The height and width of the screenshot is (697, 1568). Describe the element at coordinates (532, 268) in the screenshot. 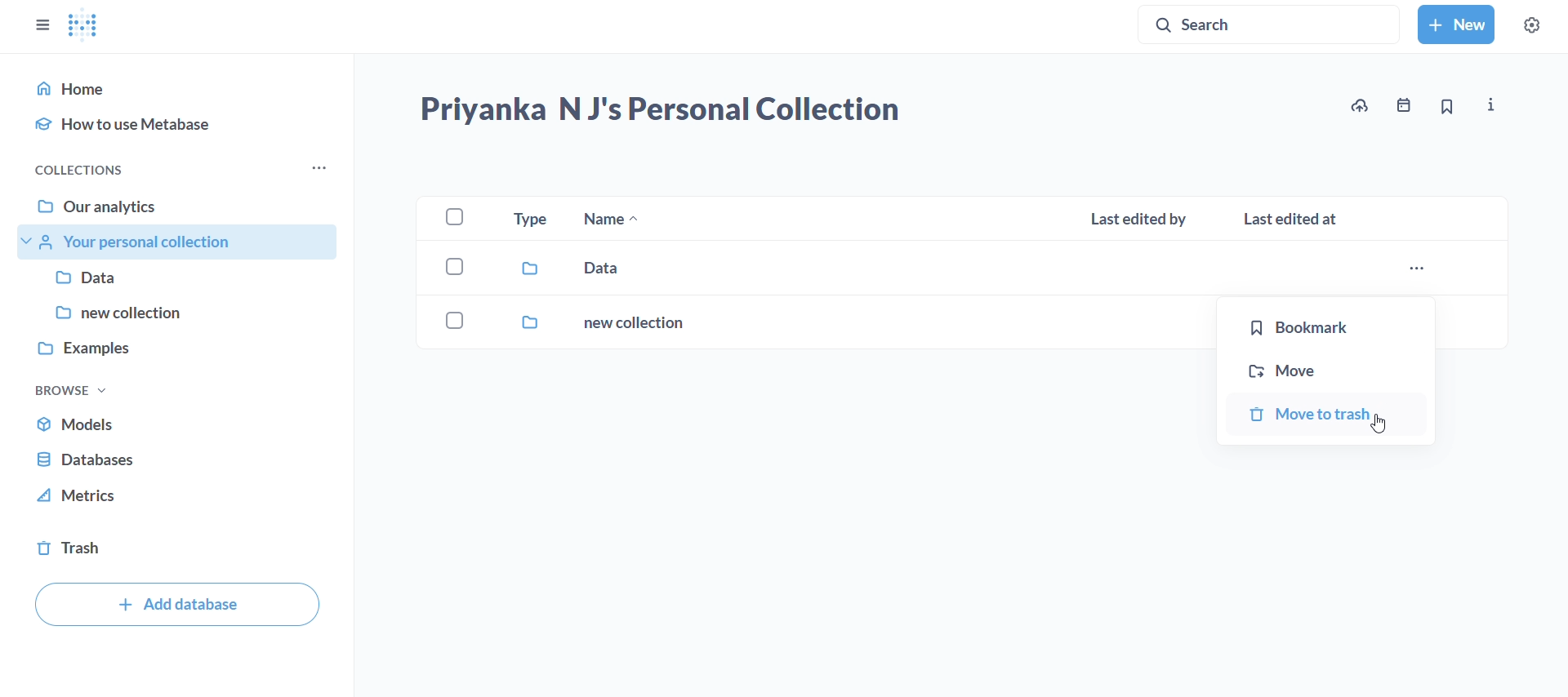

I see `data` at that location.